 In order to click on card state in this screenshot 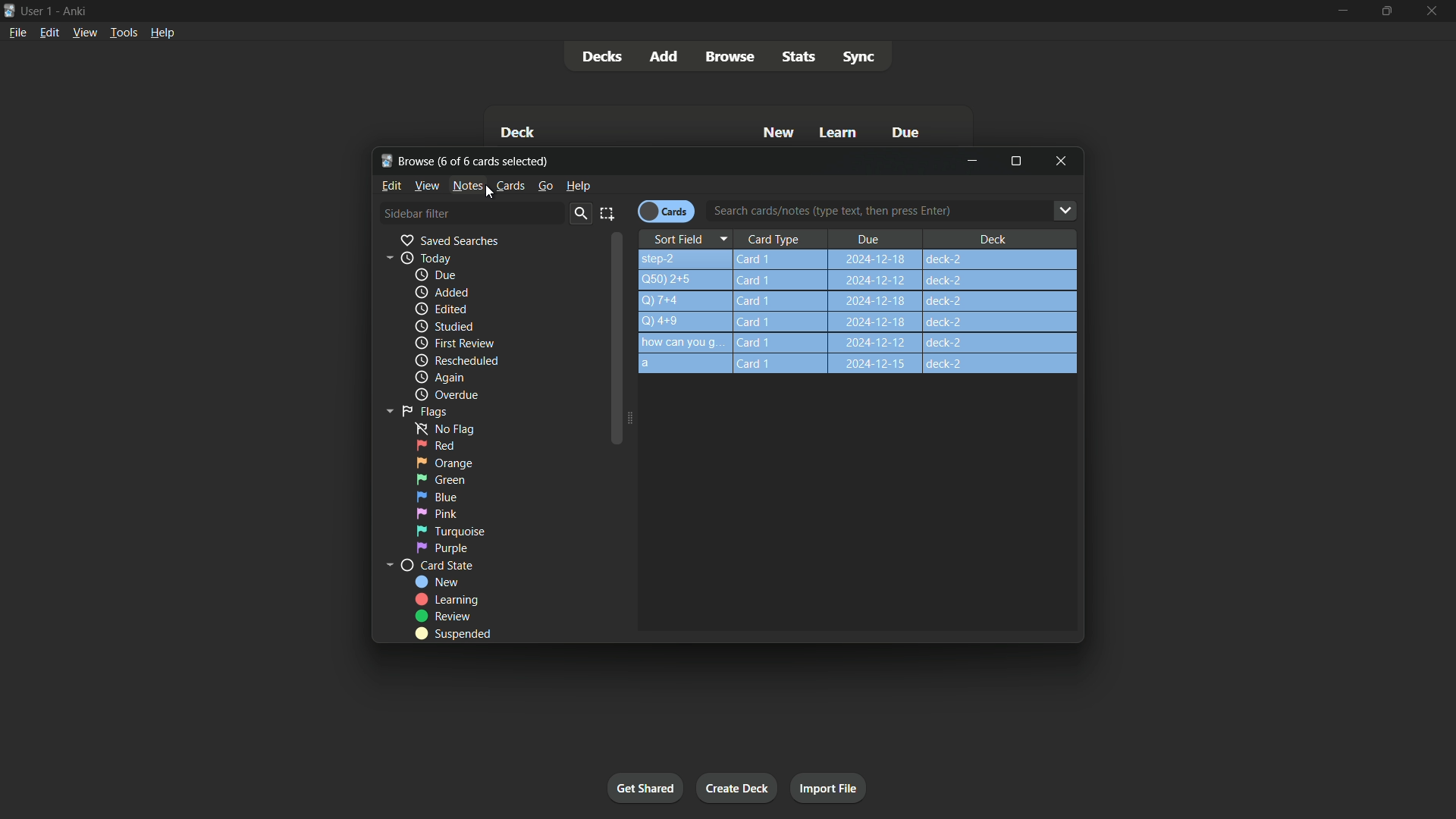, I will do `click(429, 566)`.